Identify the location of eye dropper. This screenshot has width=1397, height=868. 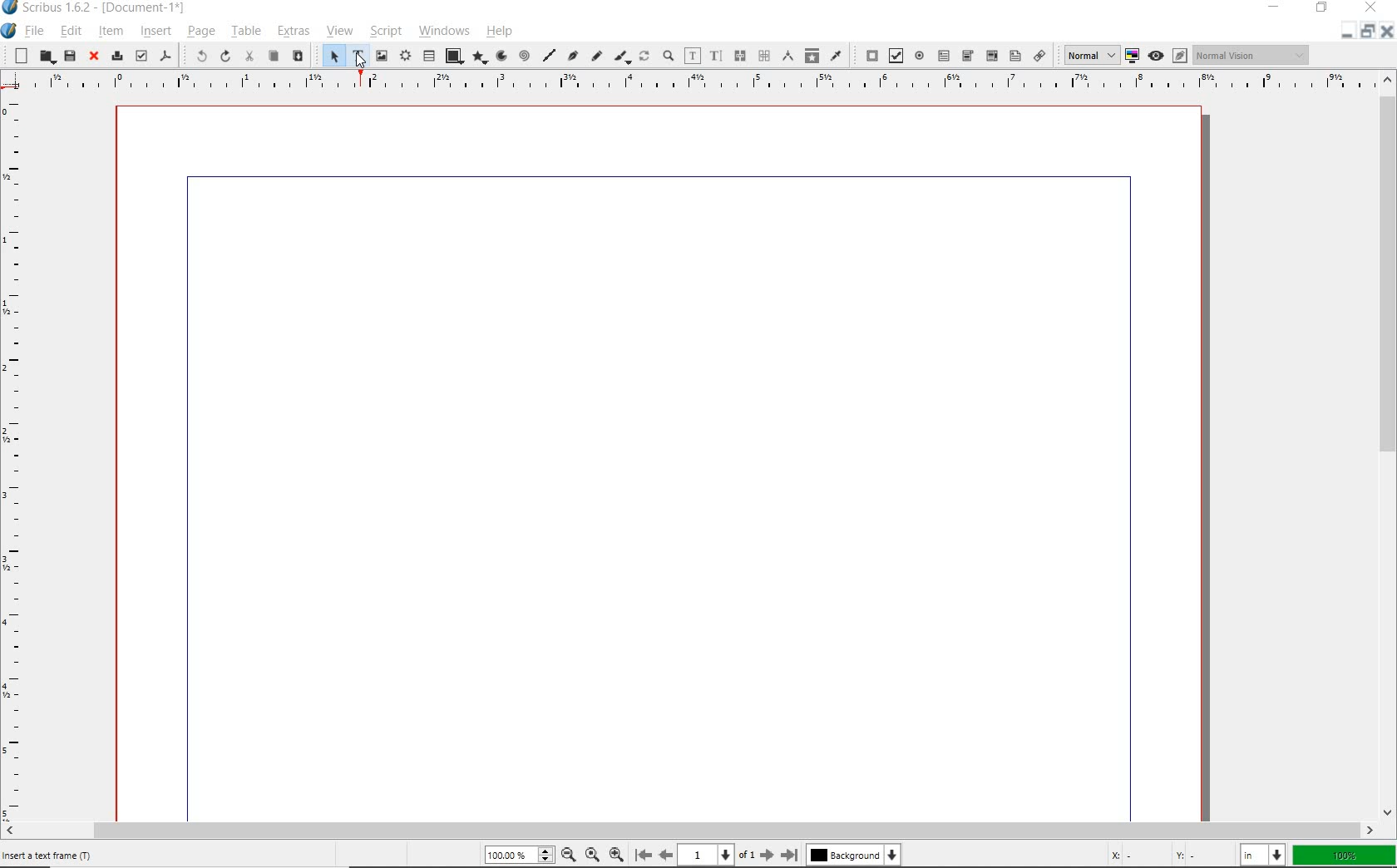
(836, 55).